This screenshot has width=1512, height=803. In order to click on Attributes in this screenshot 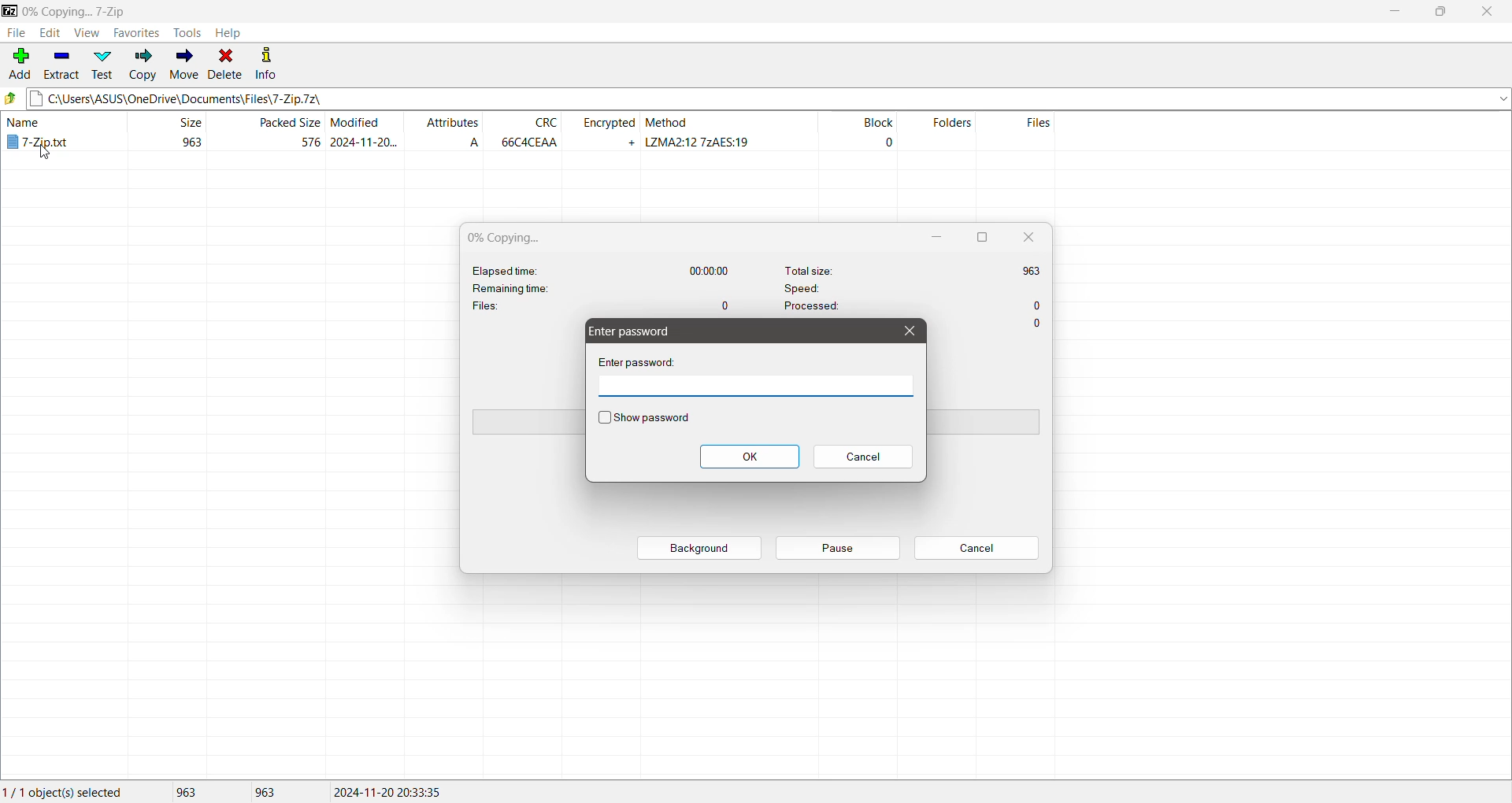, I will do `click(450, 132)`.